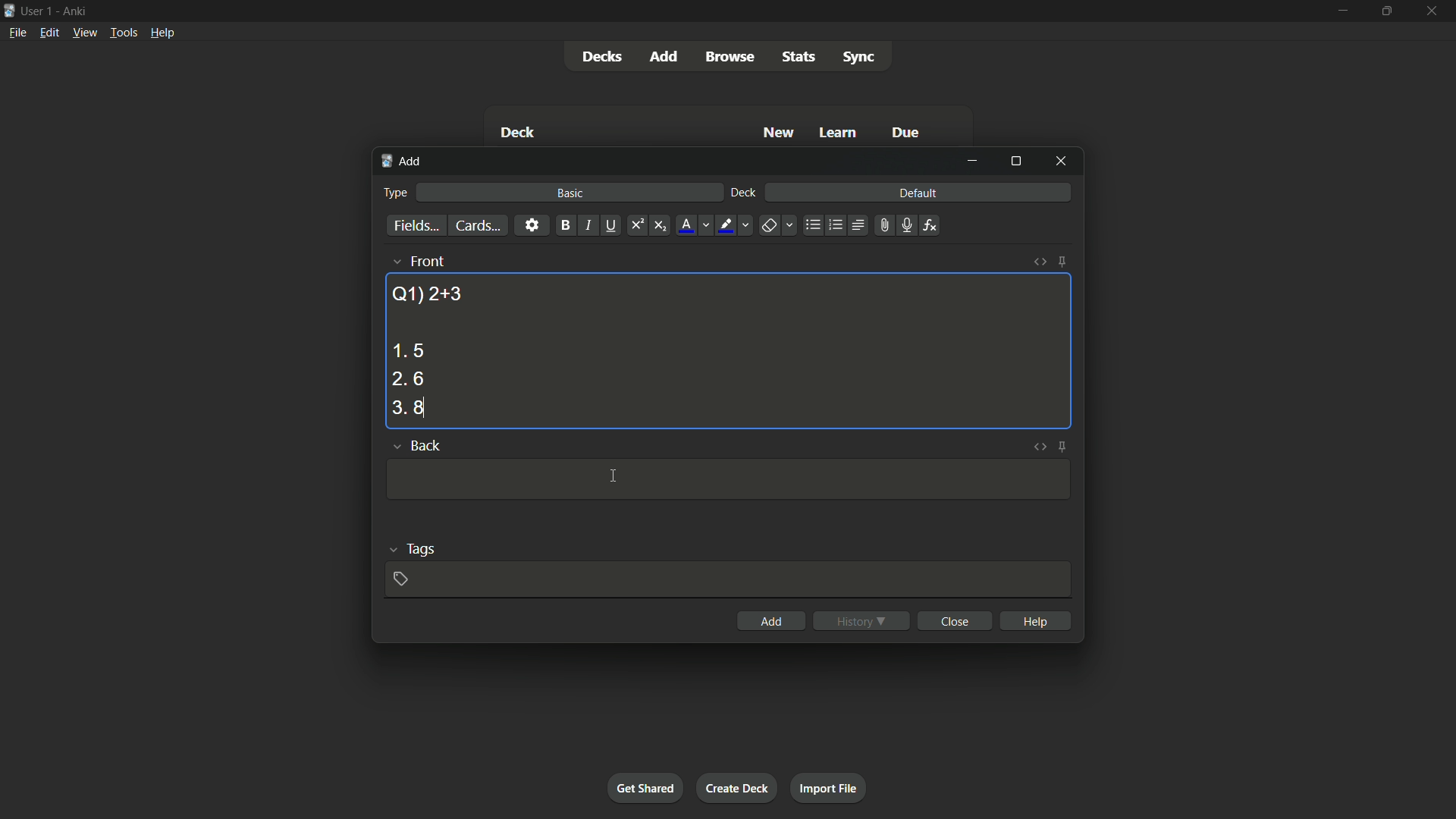  I want to click on attach file, so click(883, 225).